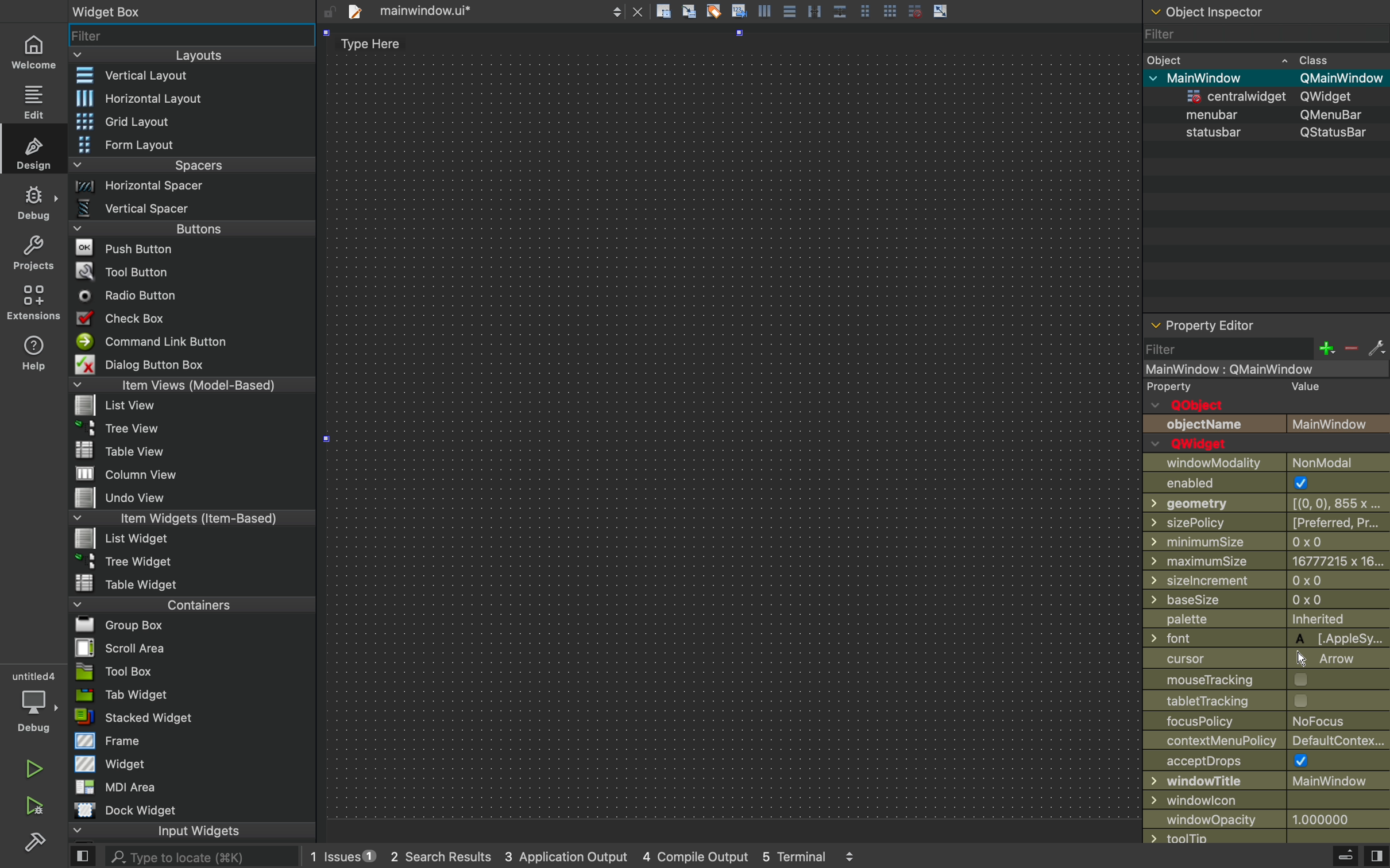 Image resolution: width=1390 pixels, height=868 pixels. What do you see at coordinates (1265, 57) in the screenshot?
I see `object` at bounding box center [1265, 57].